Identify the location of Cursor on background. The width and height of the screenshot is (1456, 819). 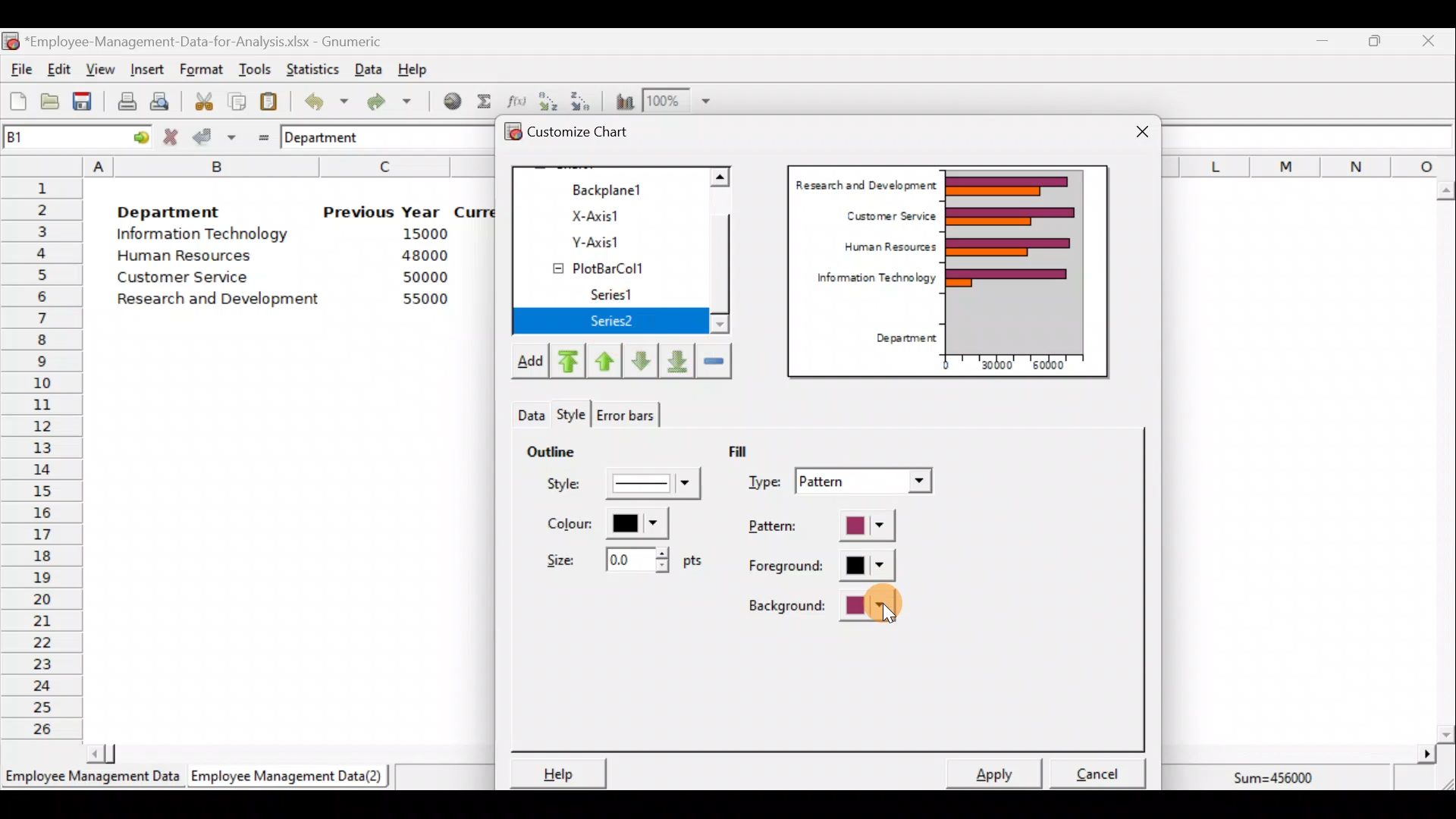
(889, 610).